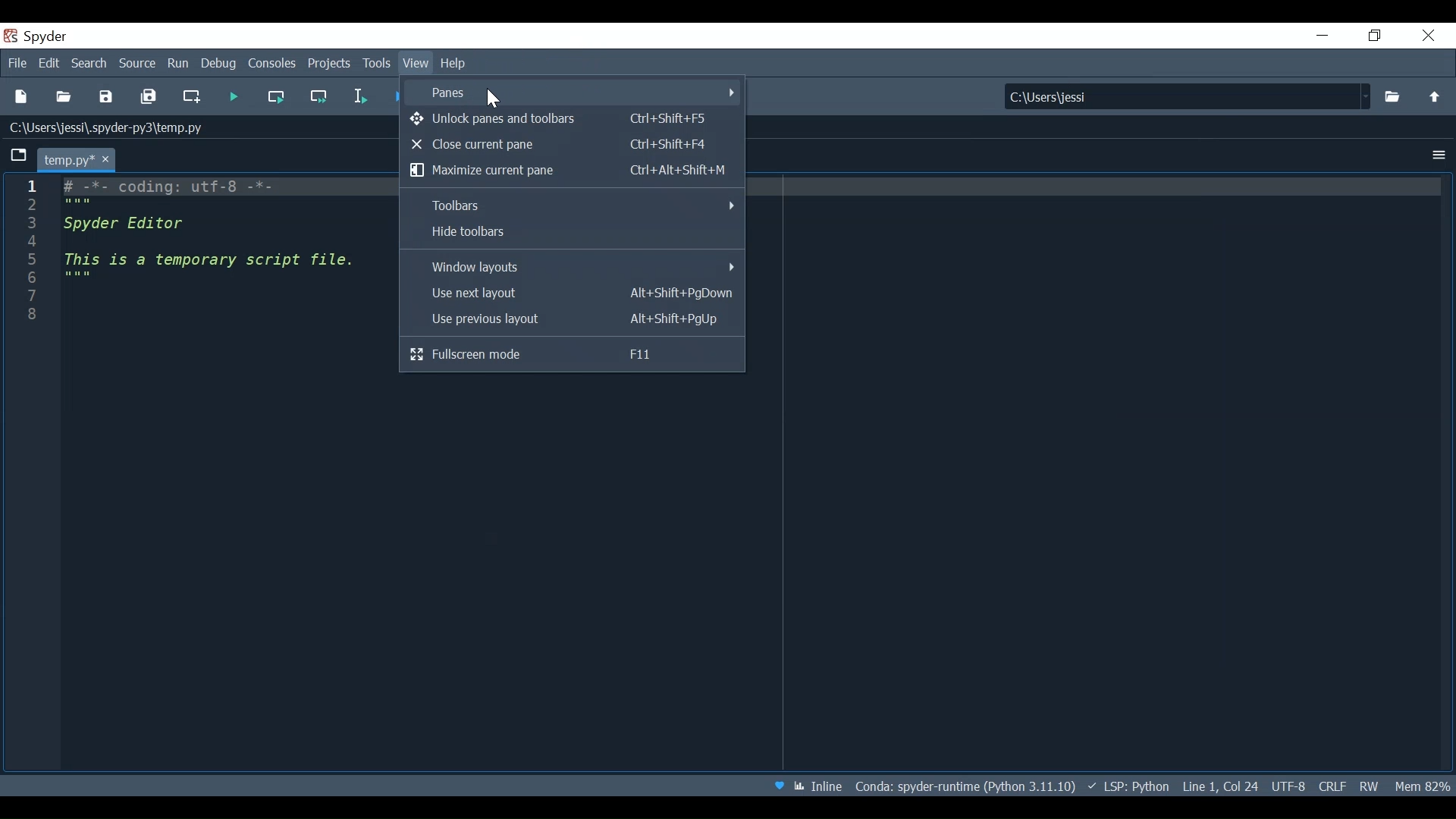  What do you see at coordinates (1427, 35) in the screenshot?
I see `Close` at bounding box center [1427, 35].